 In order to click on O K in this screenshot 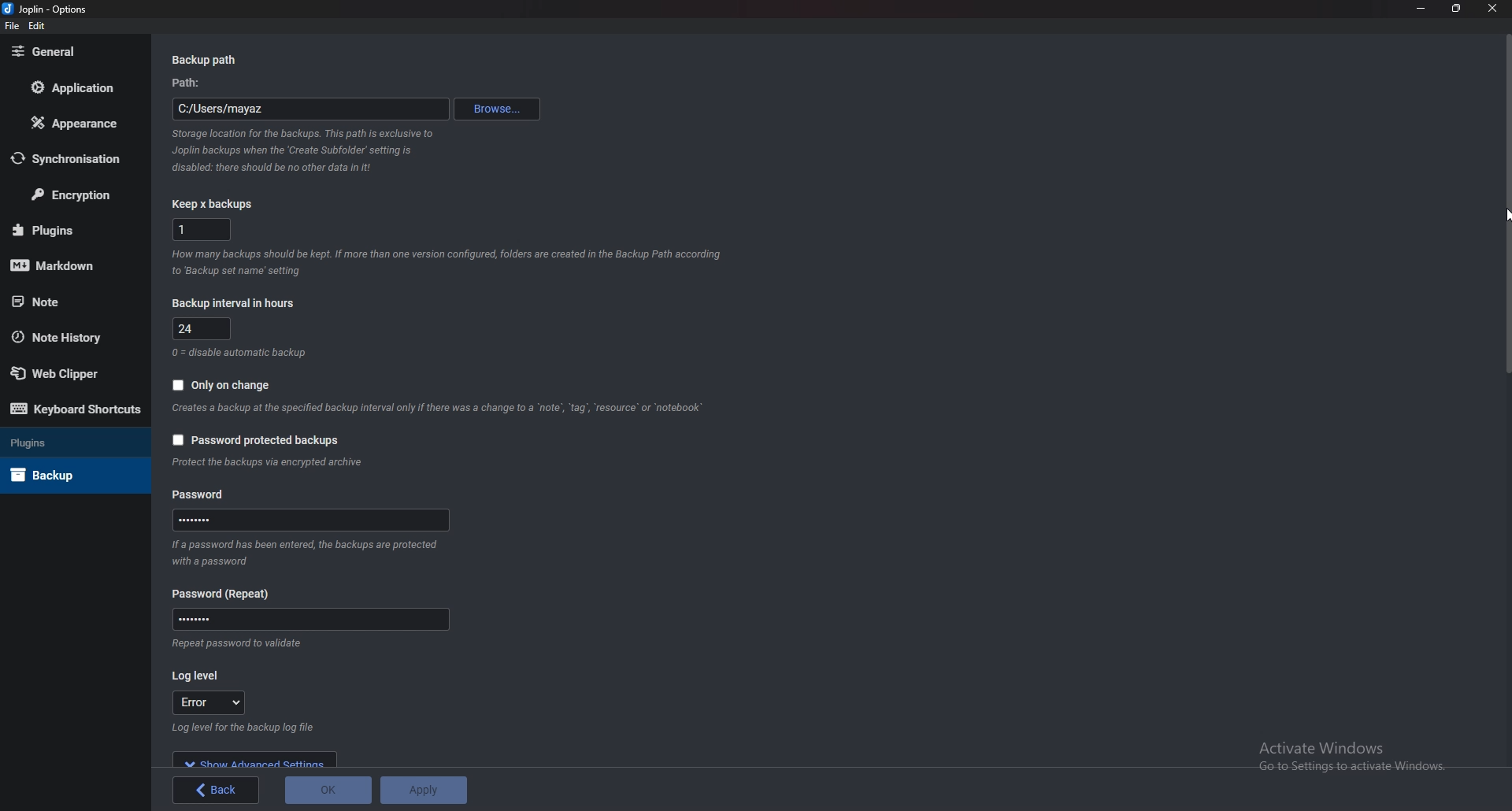, I will do `click(329, 789)`.